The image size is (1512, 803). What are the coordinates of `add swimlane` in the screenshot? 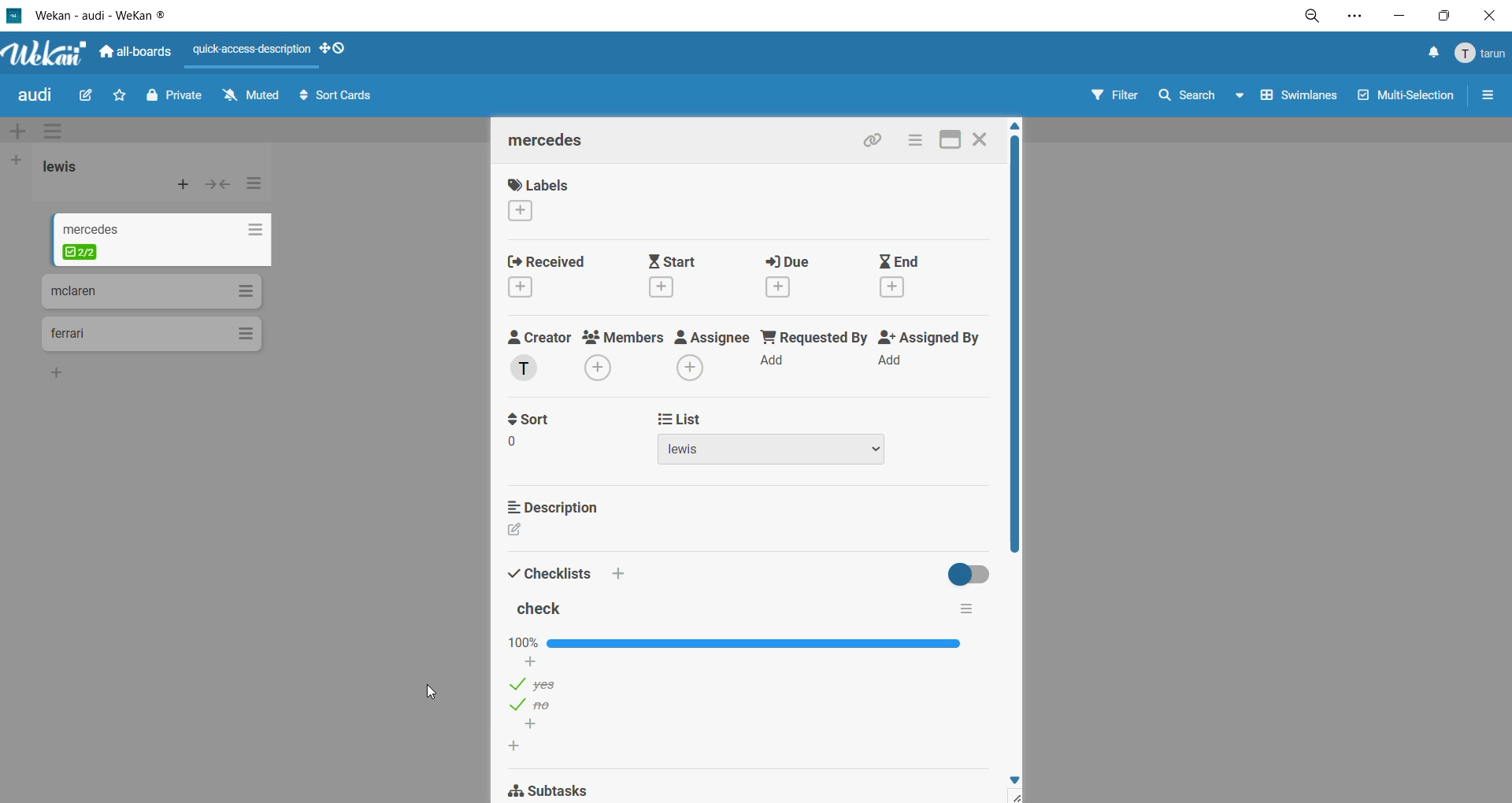 It's located at (24, 131).